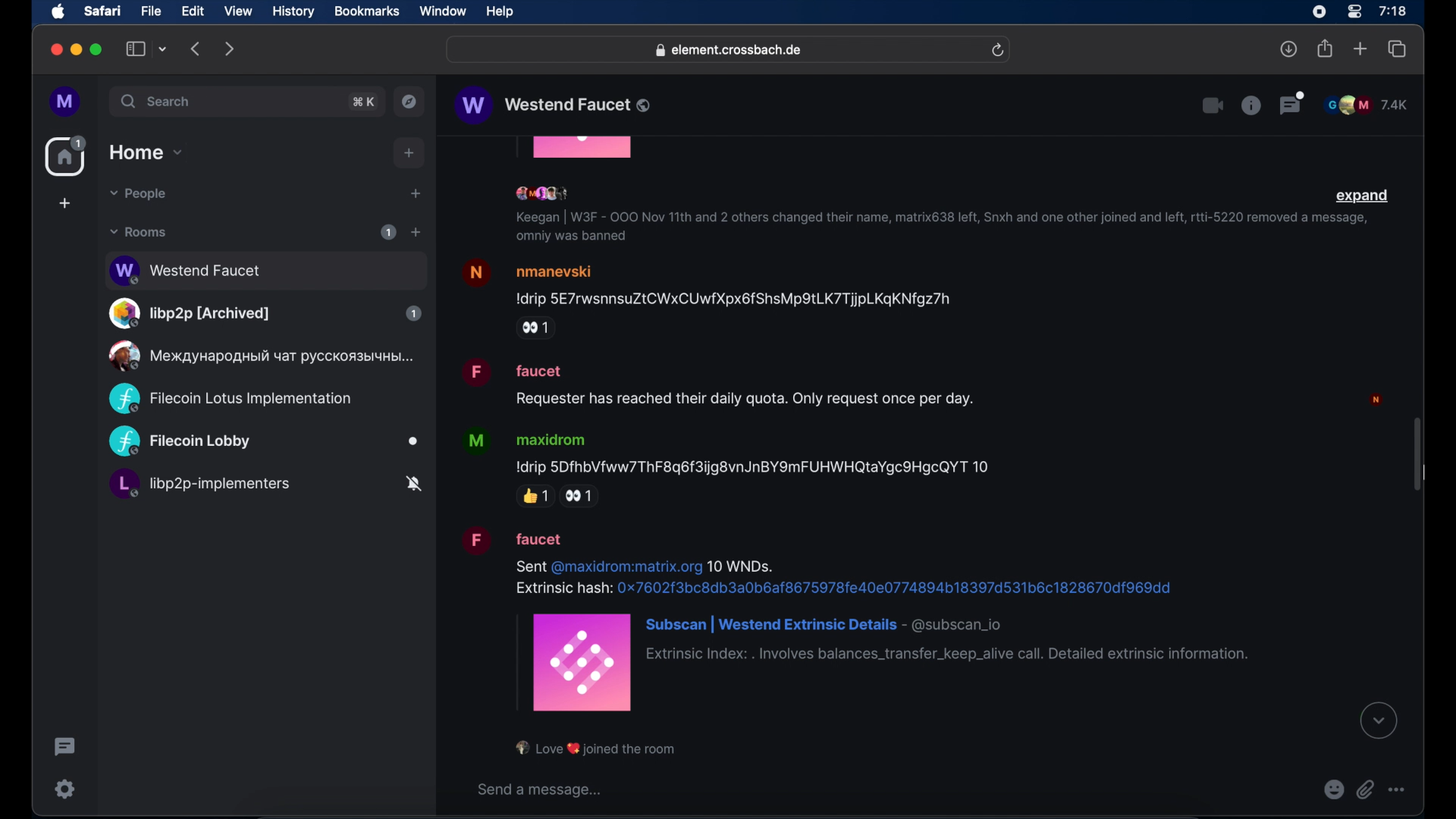  Describe the element at coordinates (542, 789) in the screenshot. I see `send a message` at that location.